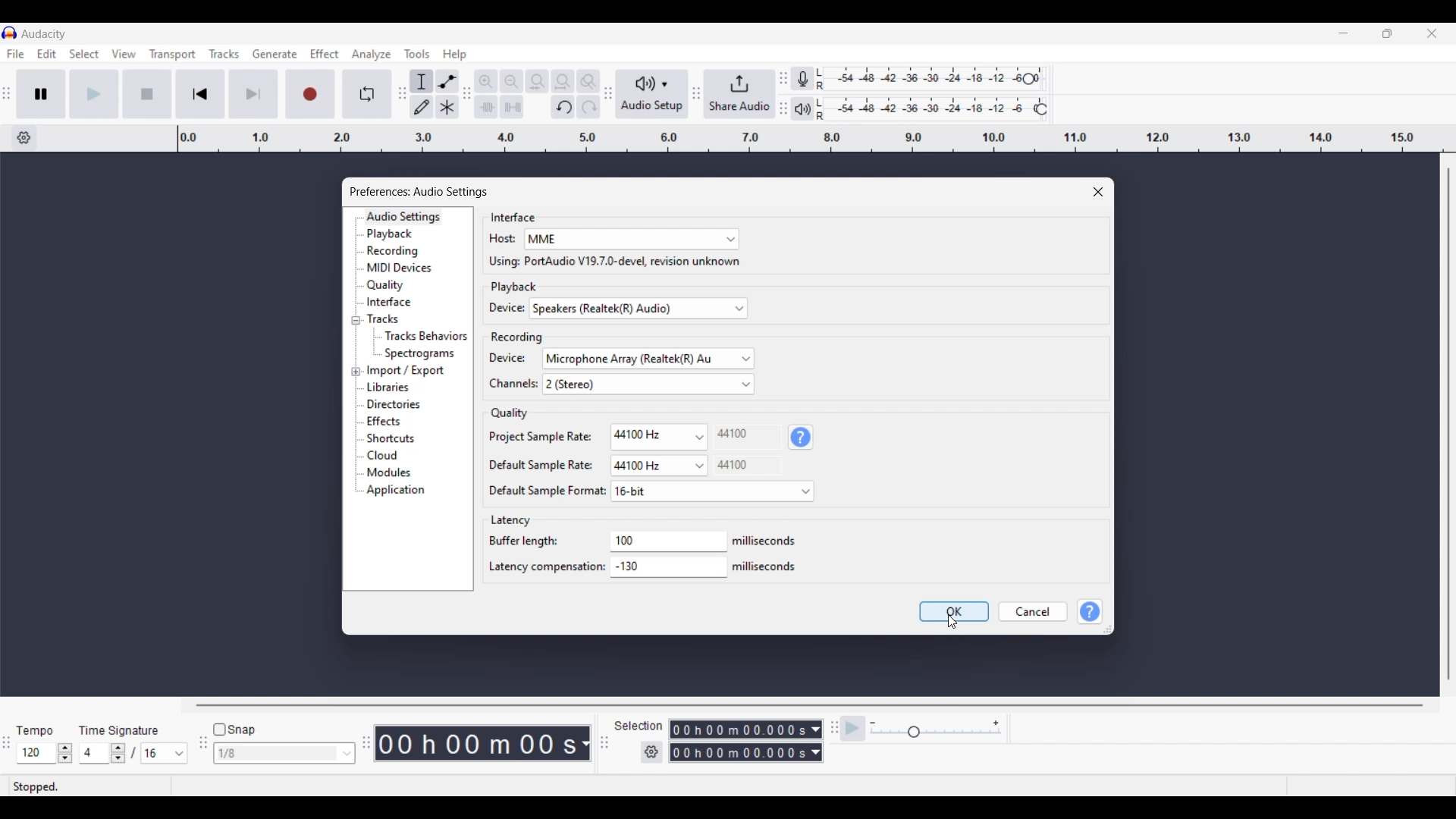 The image size is (1456, 819). What do you see at coordinates (652, 94) in the screenshot?
I see `Audio setup` at bounding box center [652, 94].